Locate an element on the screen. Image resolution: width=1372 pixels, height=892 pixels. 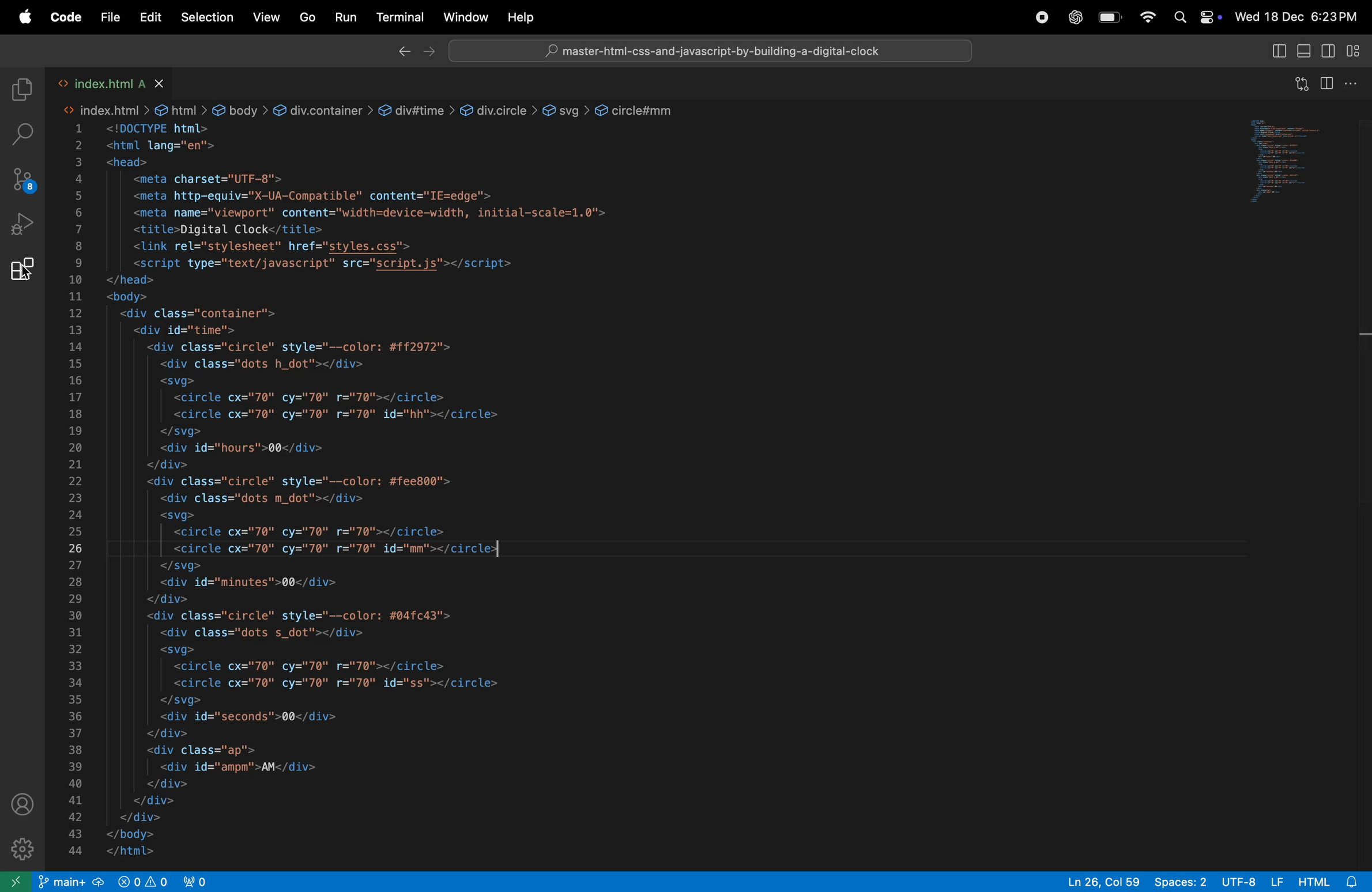
backward is located at coordinates (398, 52).